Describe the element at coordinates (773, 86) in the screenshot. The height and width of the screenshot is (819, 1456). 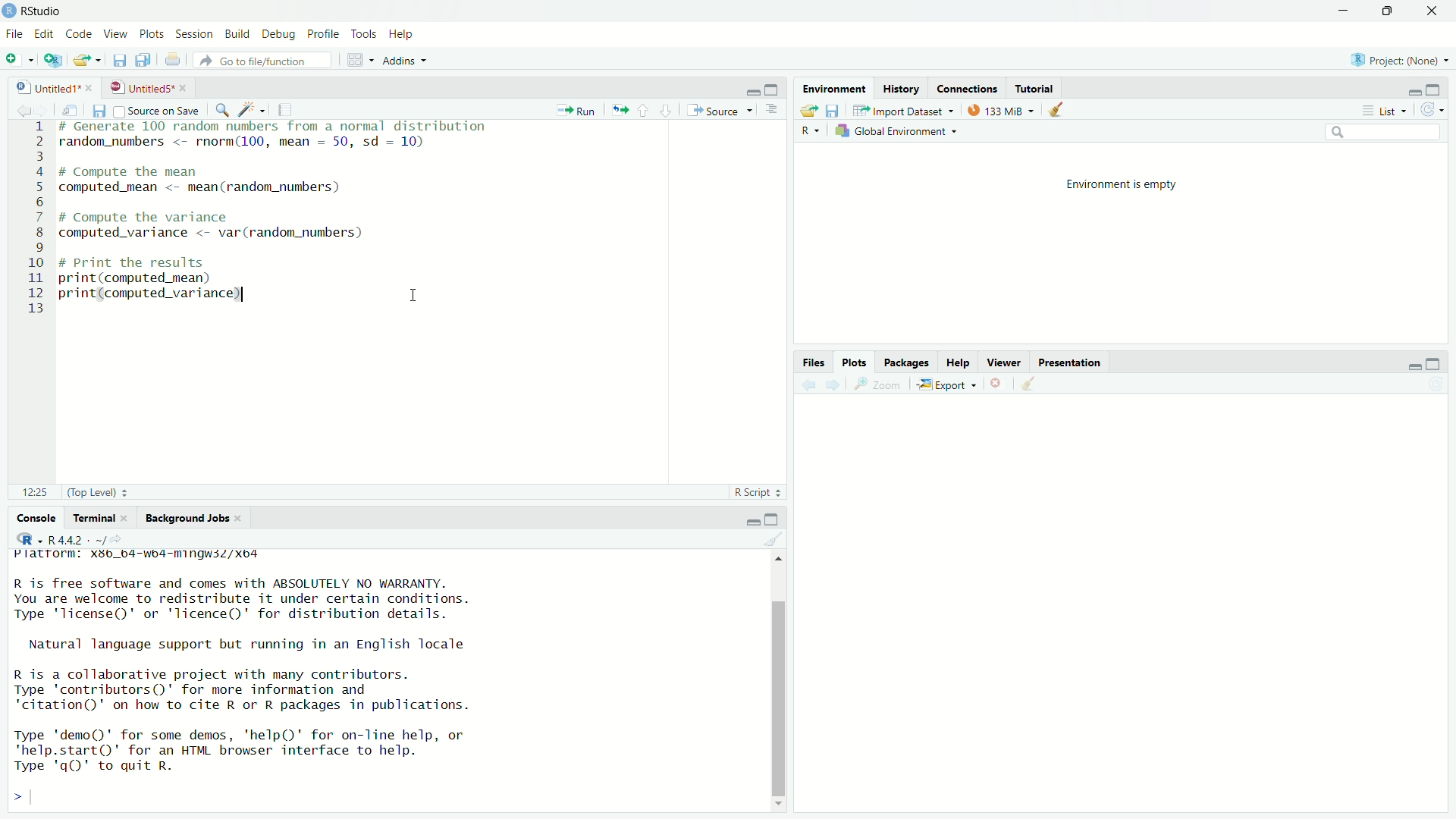
I see `maximize` at that location.